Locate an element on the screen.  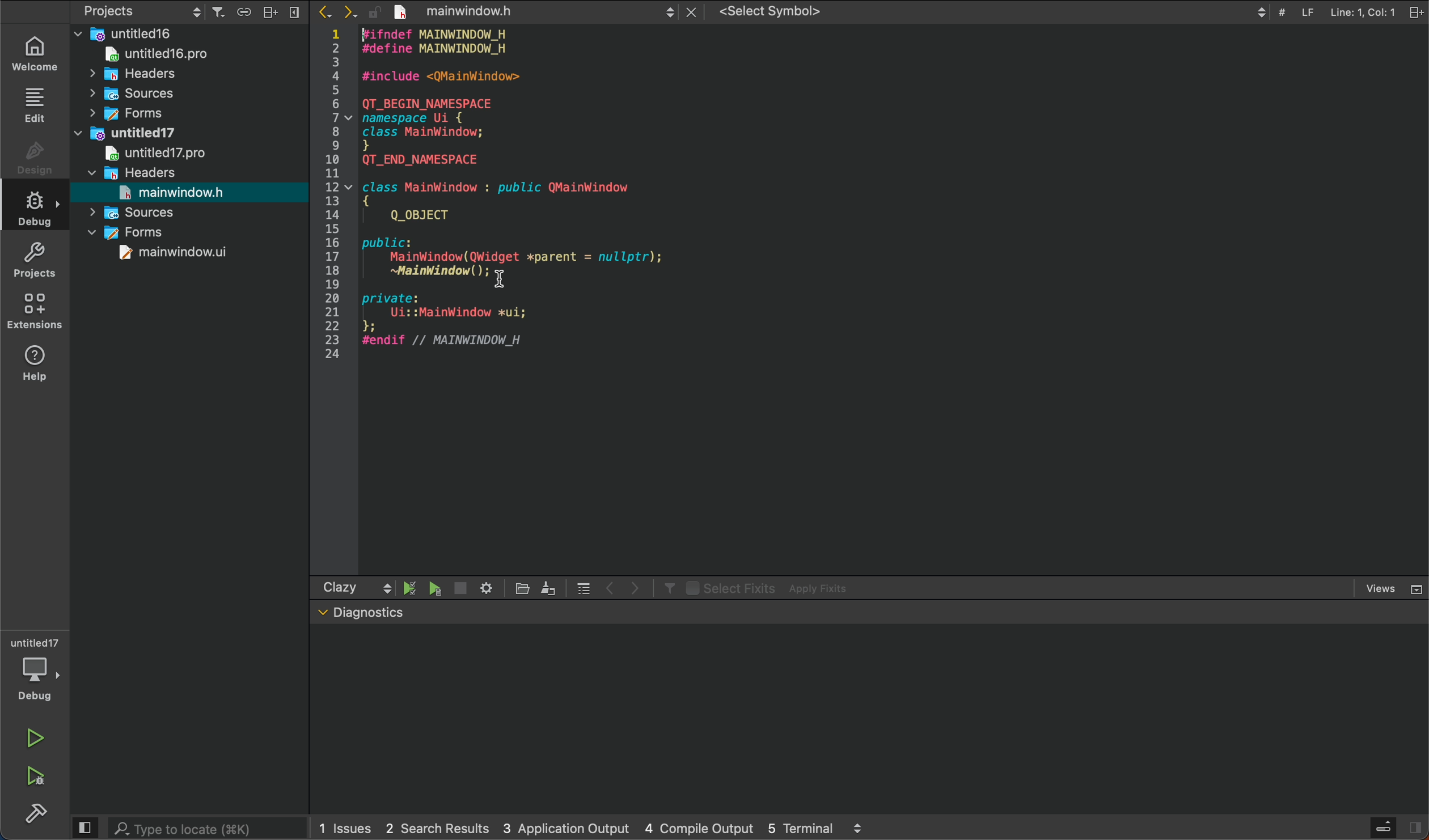
1 Issues is located at coordinates (342, 828).